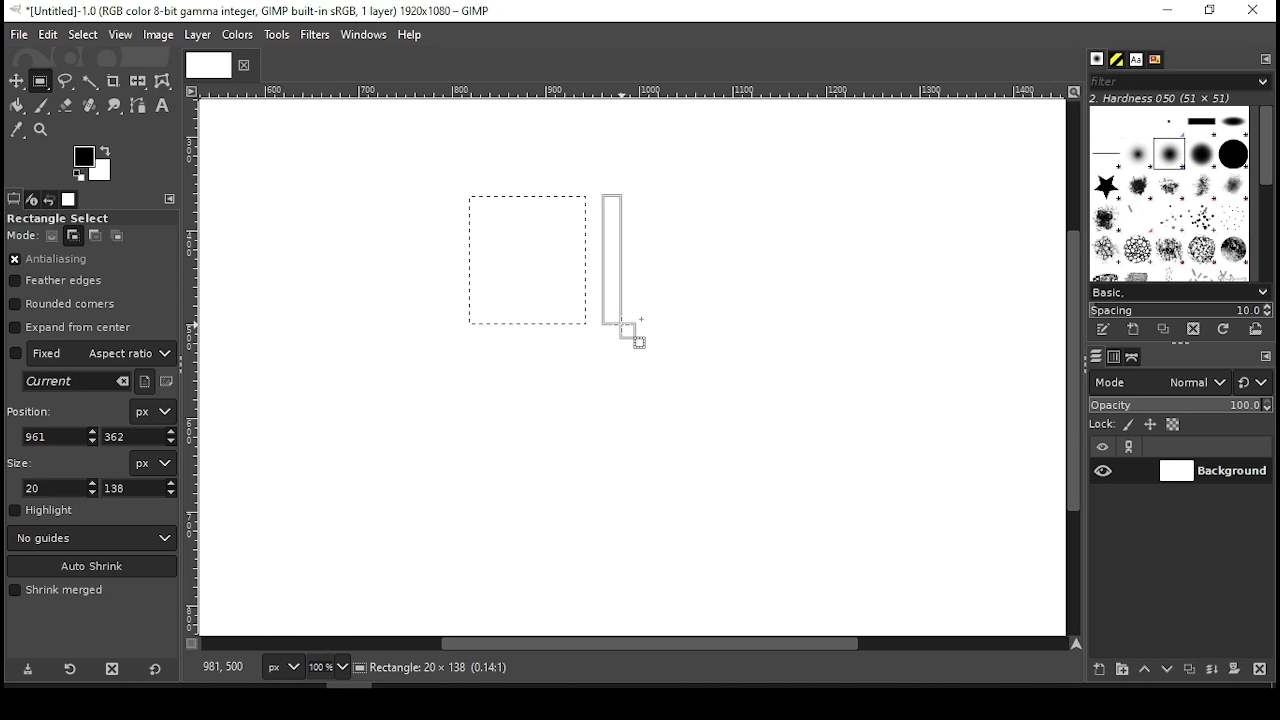 This screenshot has width=1280, height=720. I want to click on selection, so click(528, 260).